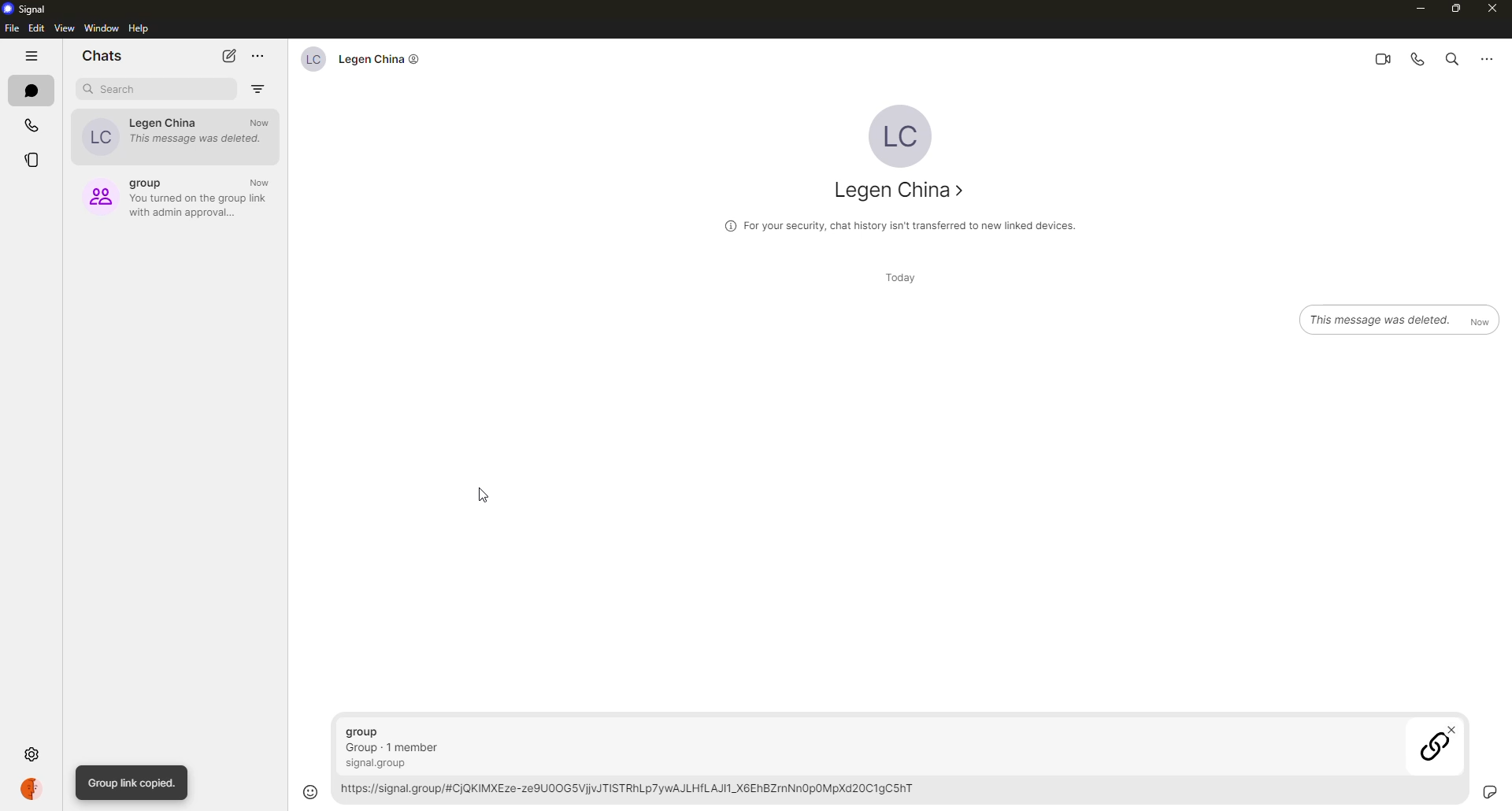 The image size is (1512, 811). Describe the element at coordinates (10, 28) in the screenshot. I see `file` at that location.